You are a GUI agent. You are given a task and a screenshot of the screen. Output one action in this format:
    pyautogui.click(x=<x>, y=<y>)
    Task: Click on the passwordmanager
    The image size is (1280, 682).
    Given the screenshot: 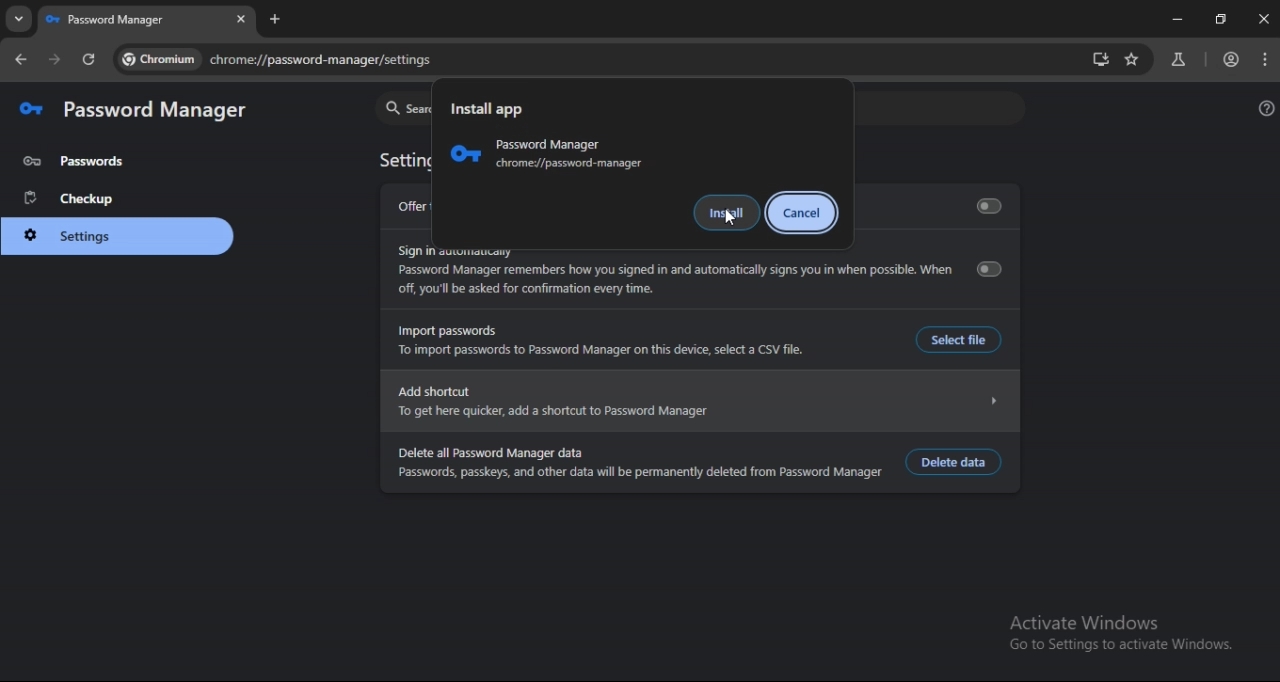 What is the action you would take?
    pyautogui.click(x=115, y=20)
    